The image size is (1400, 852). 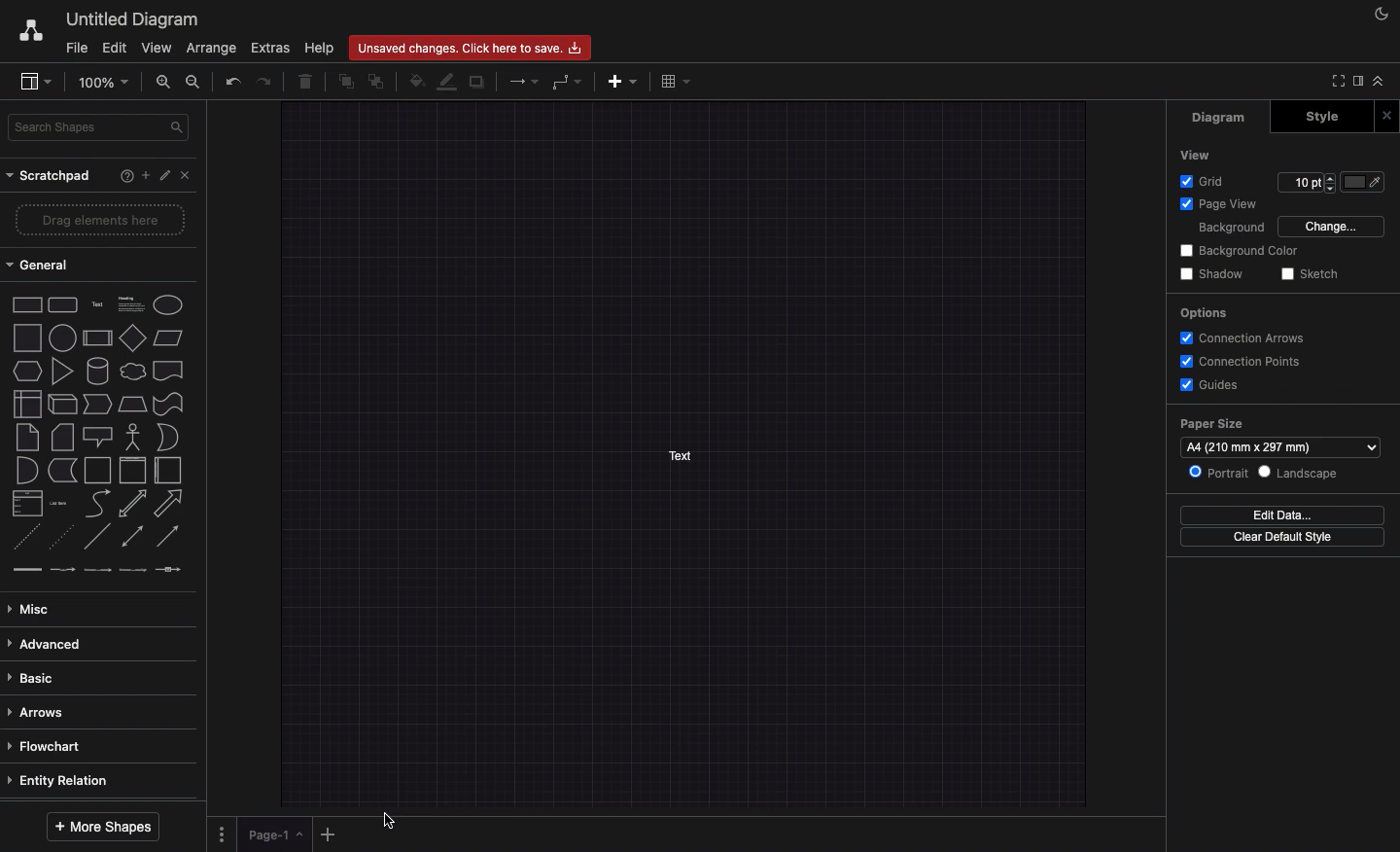 I want to click on Paper size, so click(x=1279, y=439).